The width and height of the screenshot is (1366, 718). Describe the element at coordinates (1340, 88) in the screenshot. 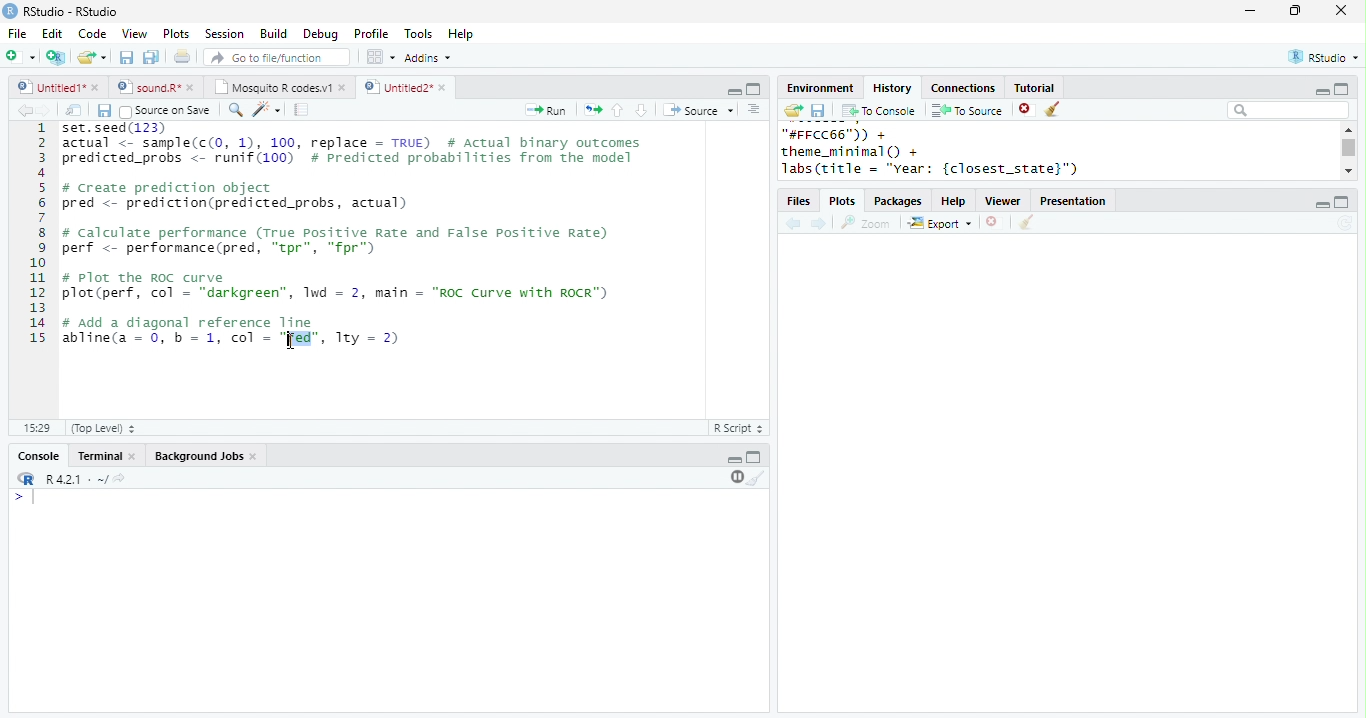

I see `maximize` at that location.